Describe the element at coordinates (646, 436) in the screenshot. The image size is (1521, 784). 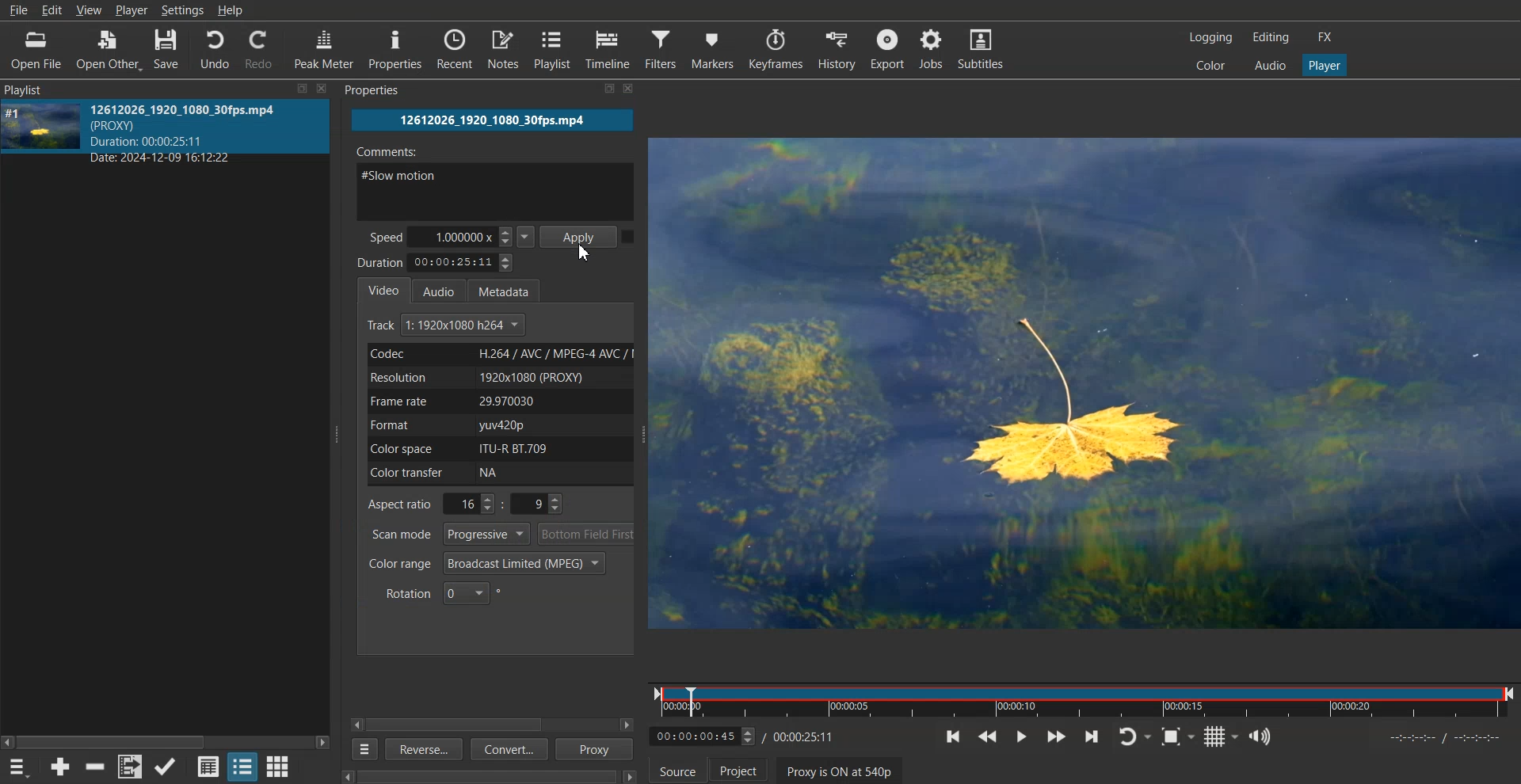
I see `Drag handle` at that location.